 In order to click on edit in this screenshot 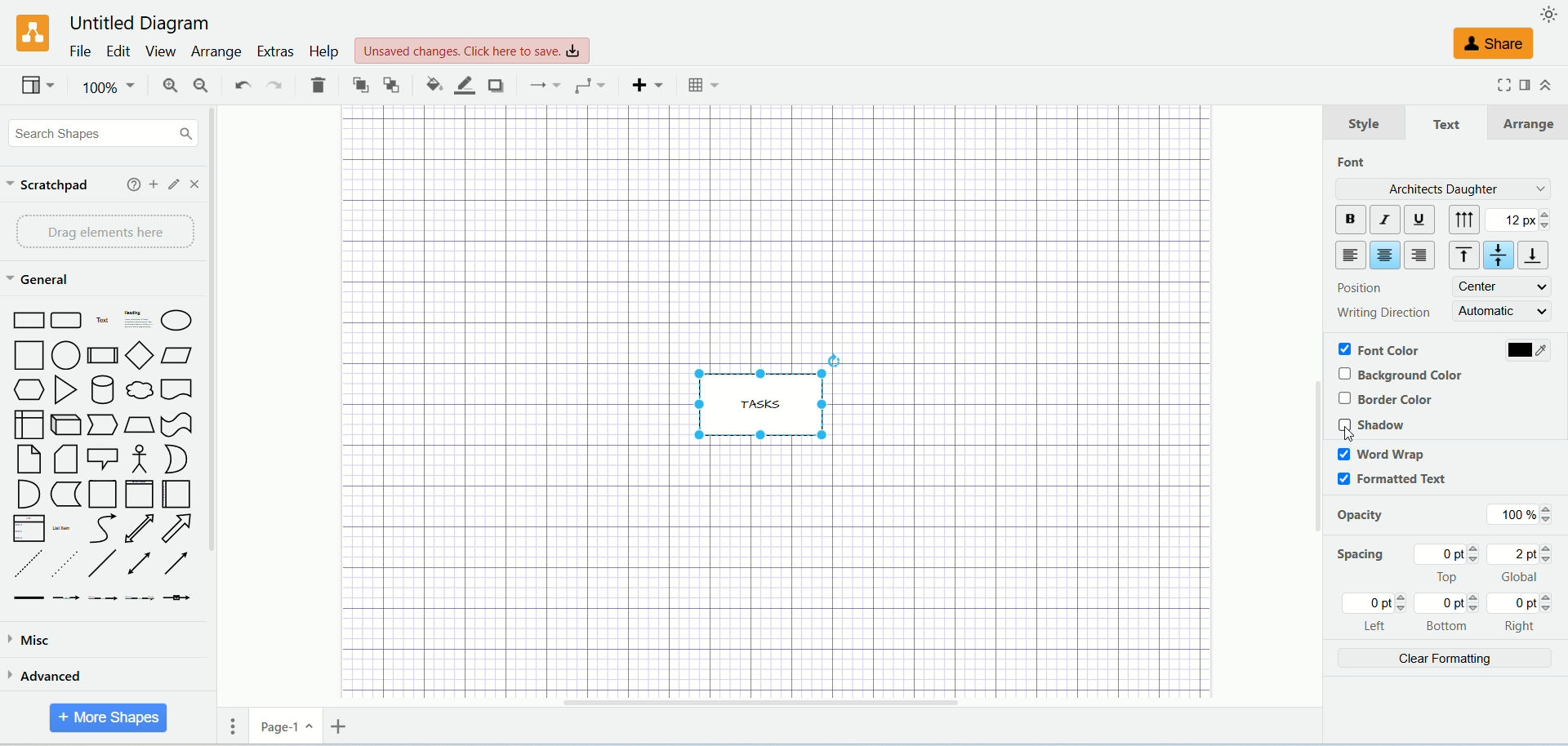, I will do `click(115, 50)`.